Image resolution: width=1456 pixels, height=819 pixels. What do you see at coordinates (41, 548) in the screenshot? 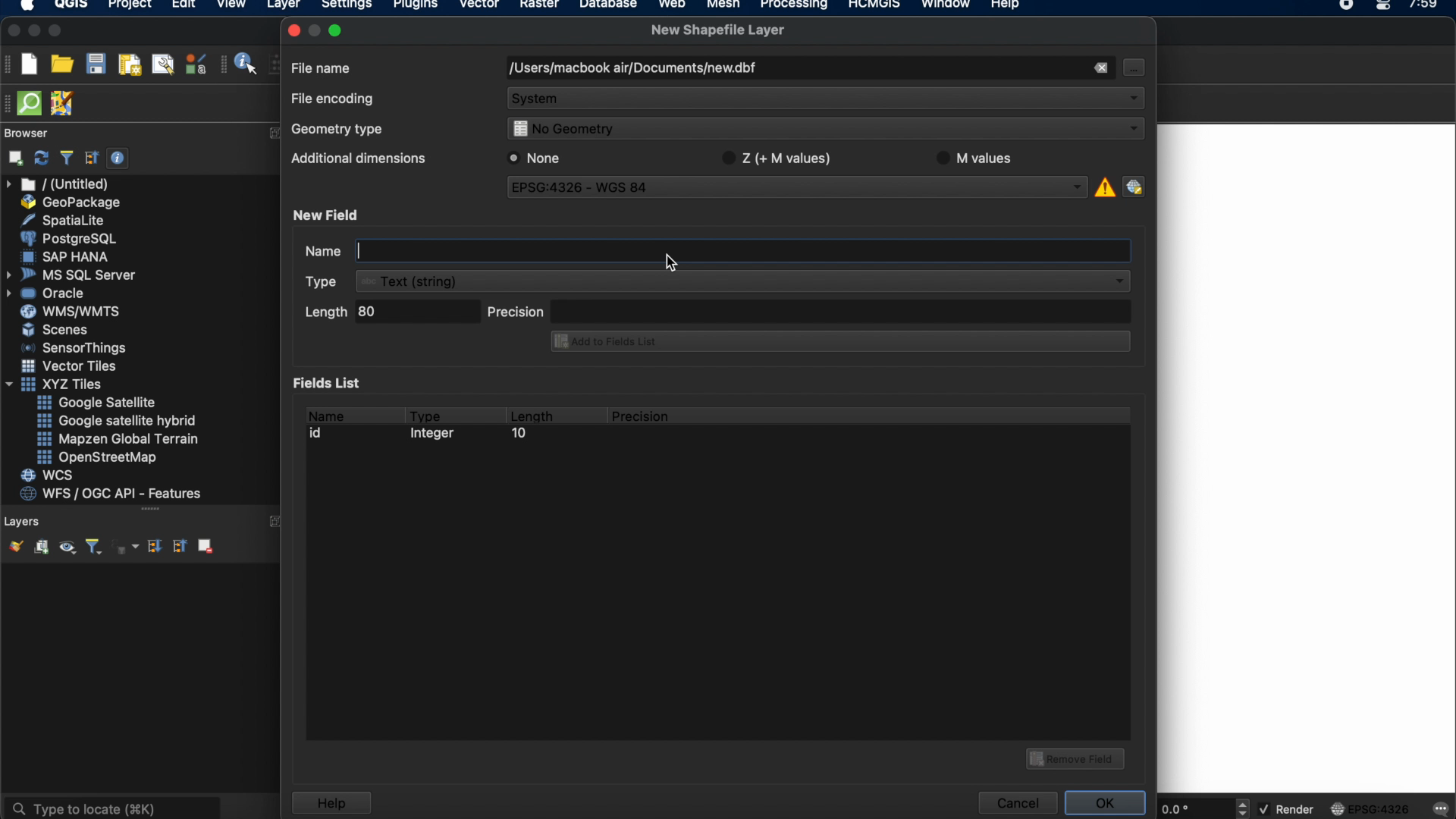
I see `add group` at bounding box center [41, 548].